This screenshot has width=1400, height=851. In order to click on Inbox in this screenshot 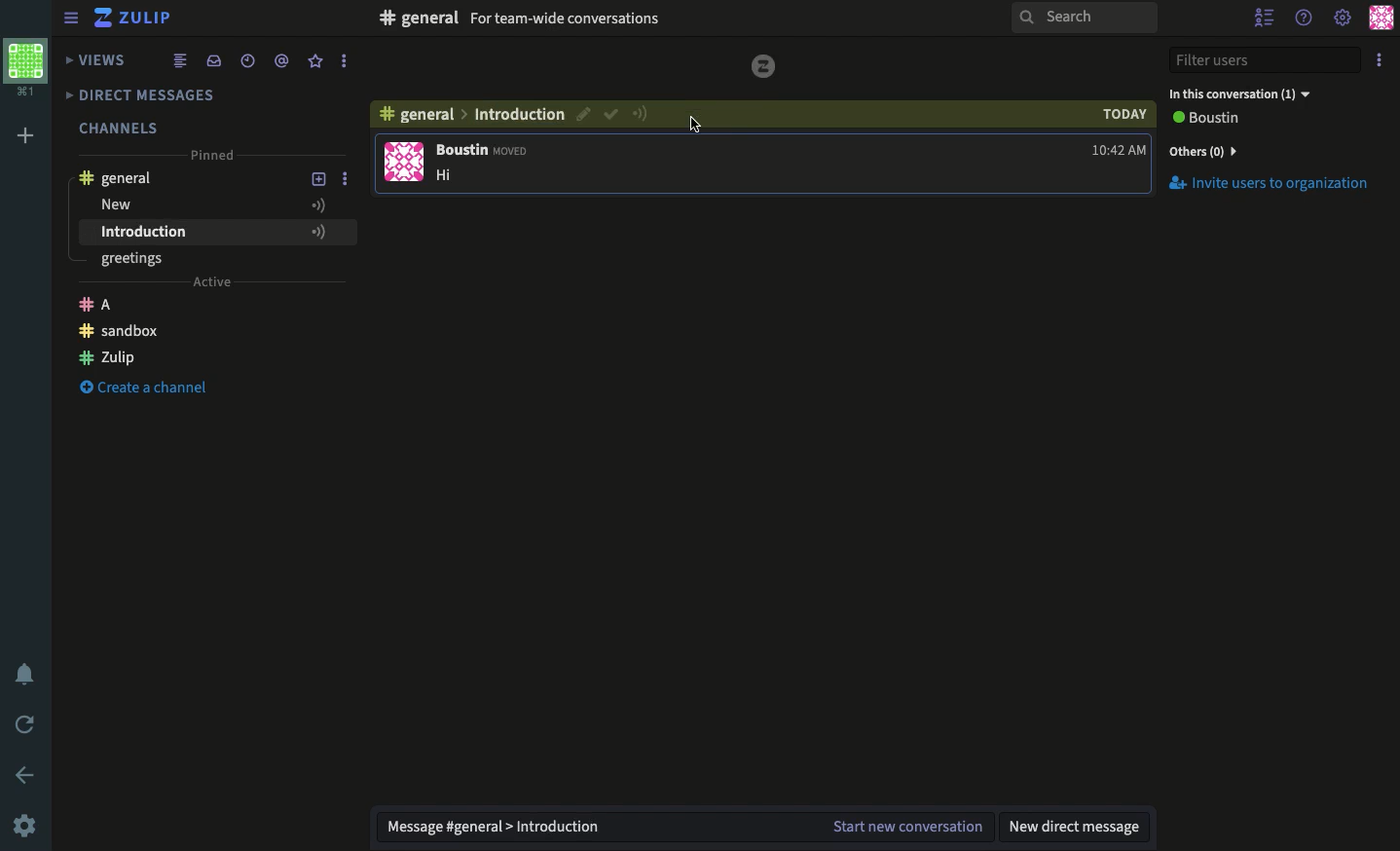, I will do `click(213, 59)`.